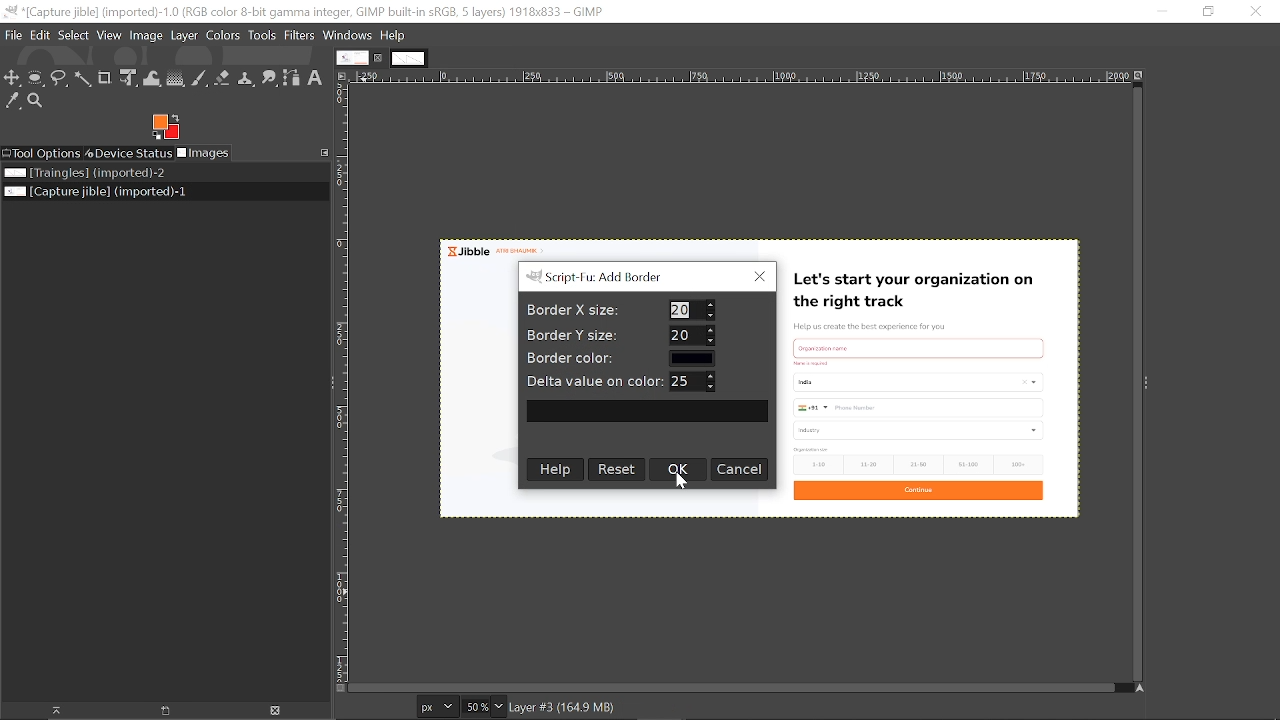 The height and width of the screenshot is (720, 1280). What do you see at coordinates (340, 76) in the screenshot?
I see `Access this image menu` at bounding box center [340, 76].